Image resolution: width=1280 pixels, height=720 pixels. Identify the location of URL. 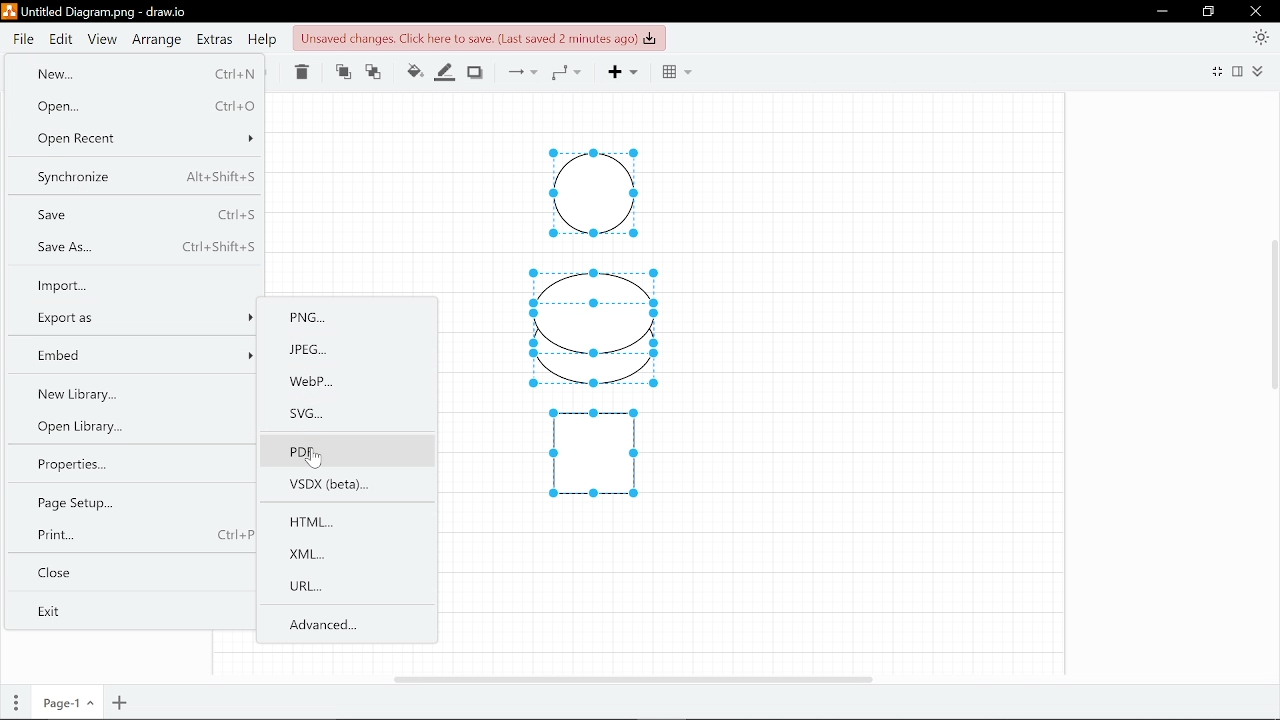
(346, 587).